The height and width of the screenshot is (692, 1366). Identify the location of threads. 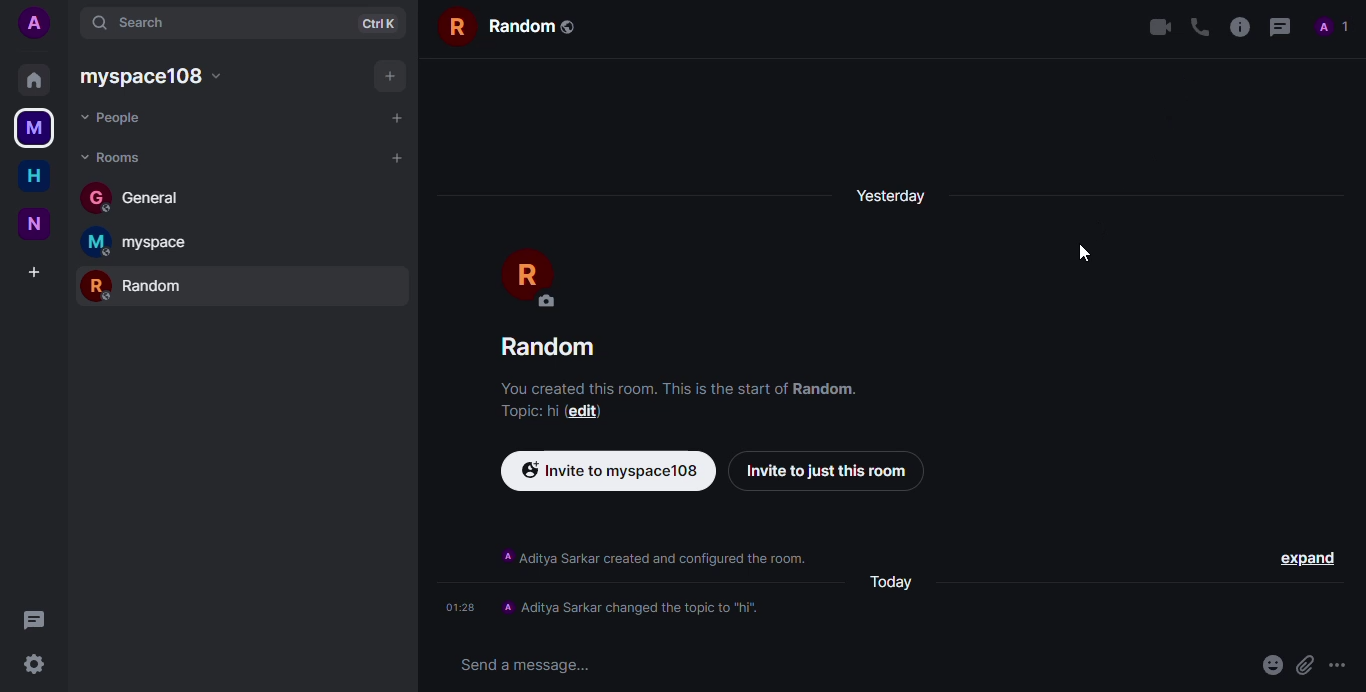
(1279, 28).